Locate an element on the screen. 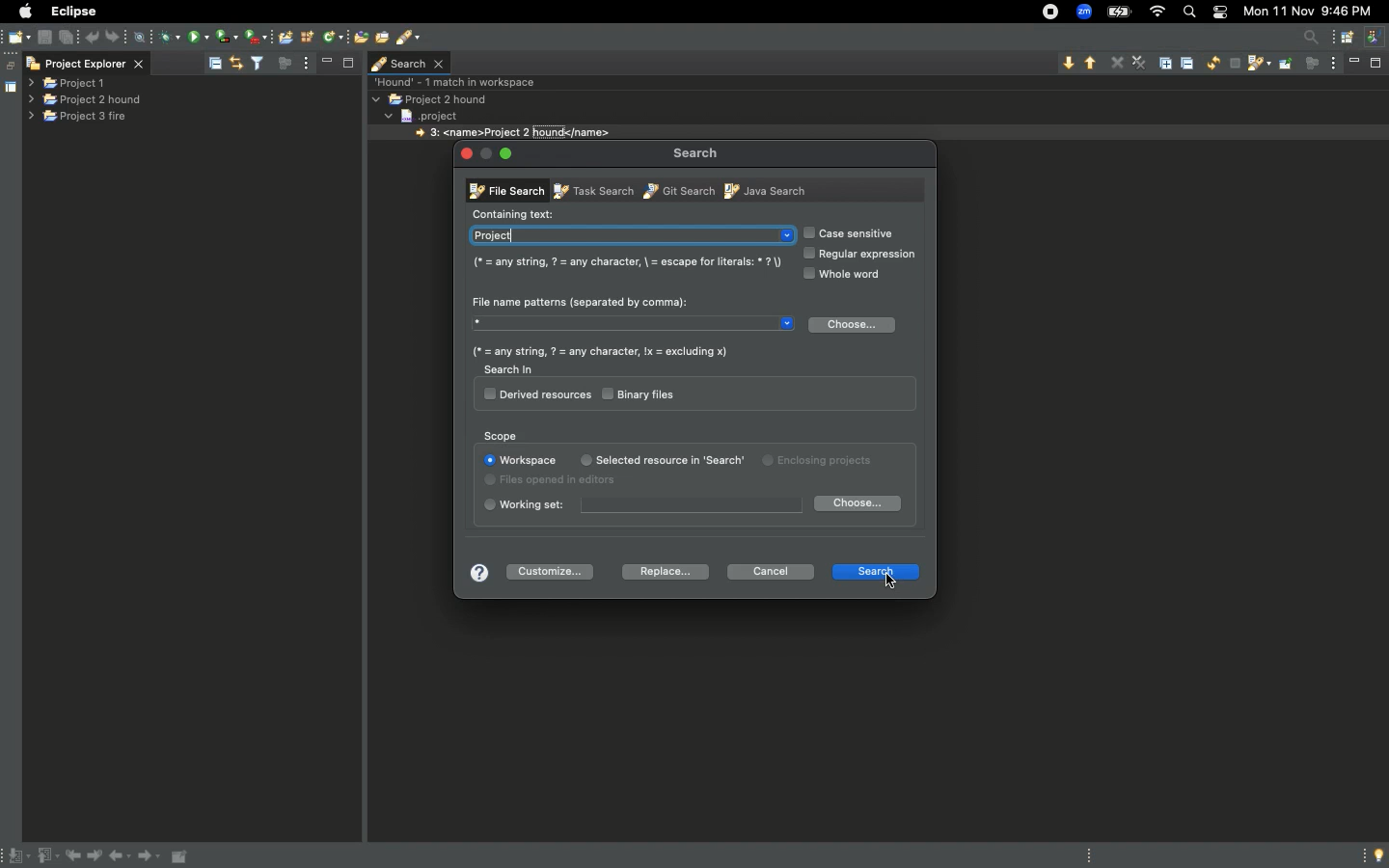 The width and height of the screenshot is (1389, 868). Eclipse is located at coordinates (72, 11).